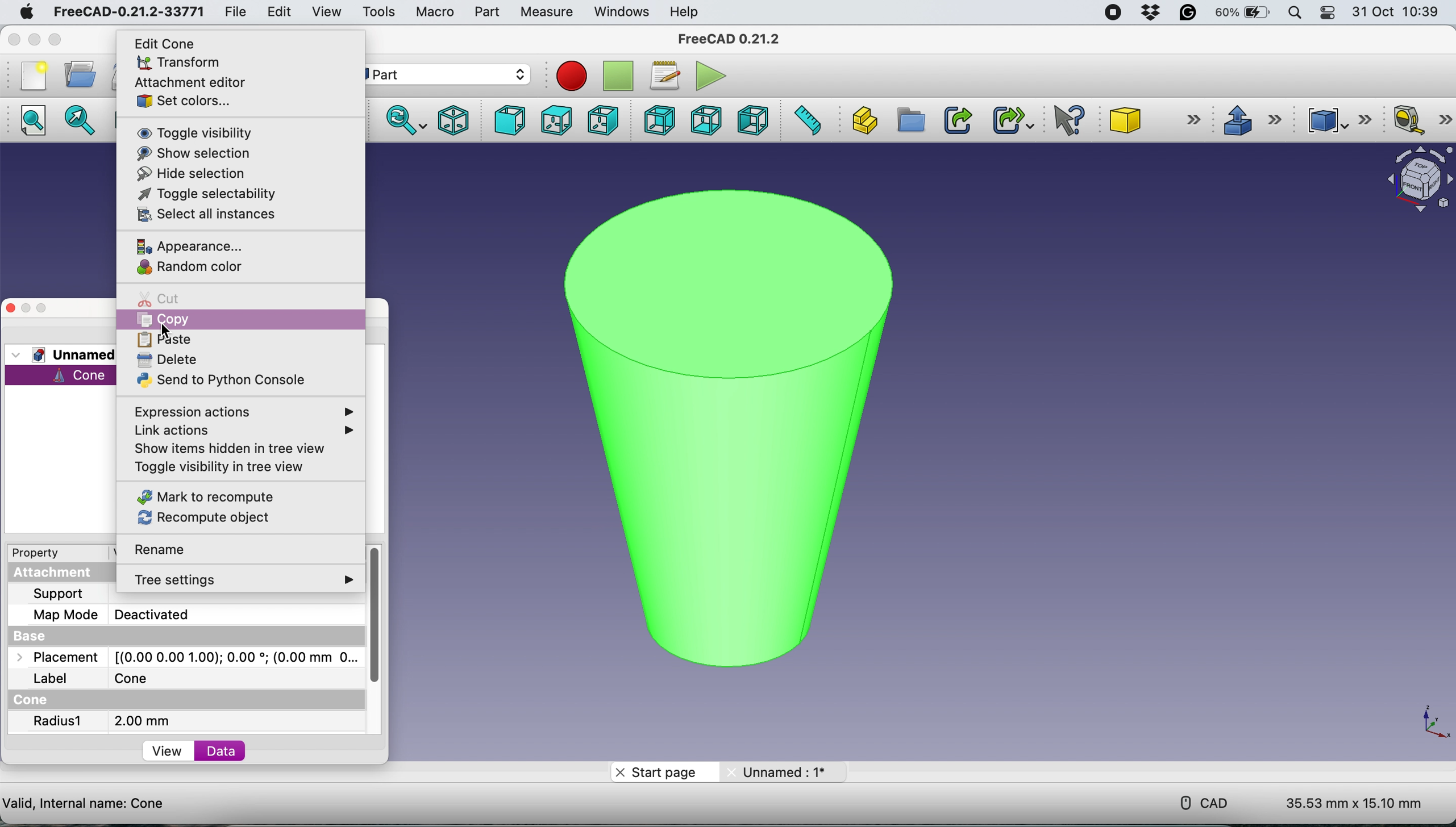 The height and width of the screenshot is (827, 1456). What do you see at coordinates (618, 77) in the screenshot?
I see `step recording macros` at bounding box center [618, 77].